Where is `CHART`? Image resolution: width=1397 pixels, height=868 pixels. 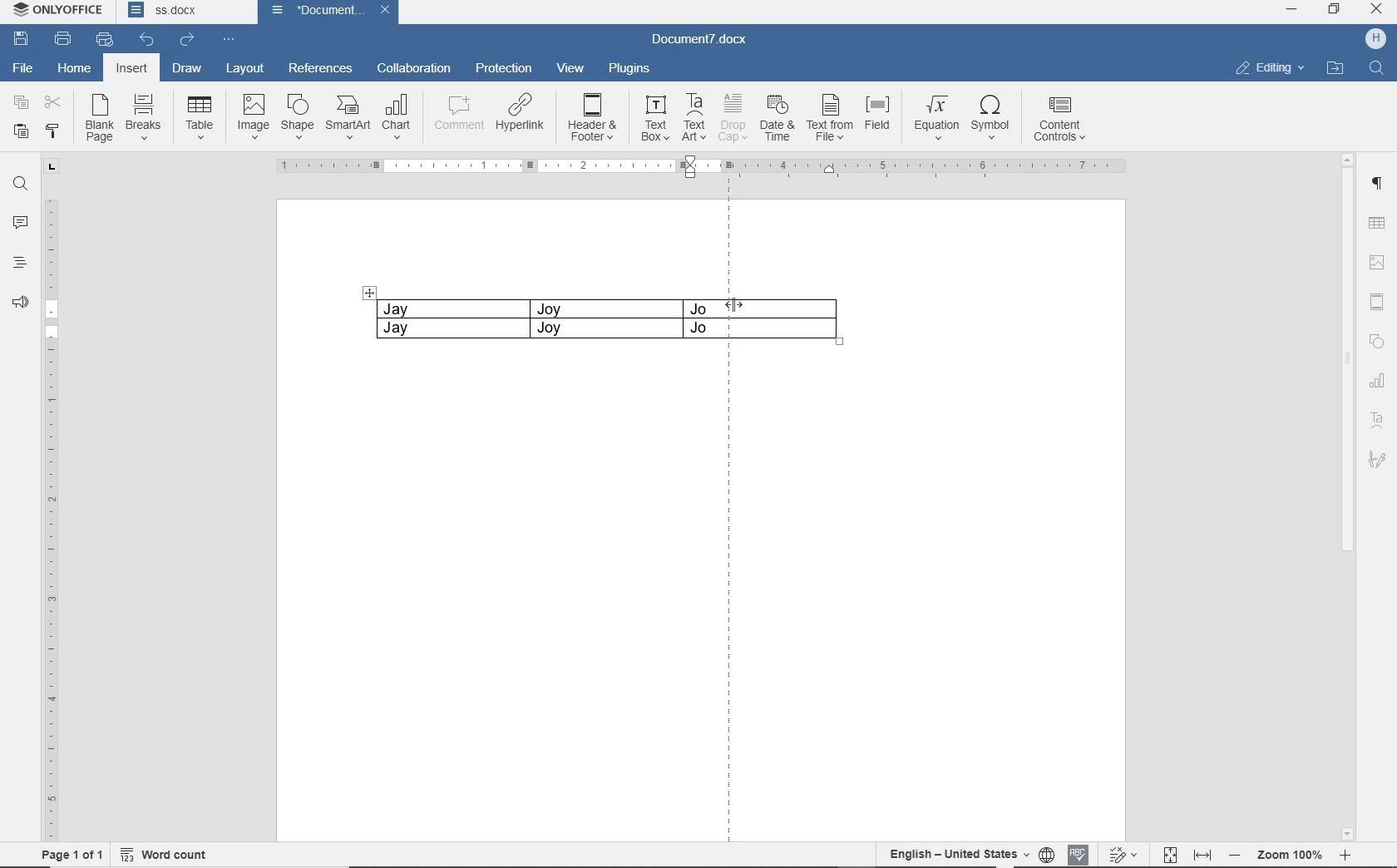
CHART is located at coordinates (1378, 382).